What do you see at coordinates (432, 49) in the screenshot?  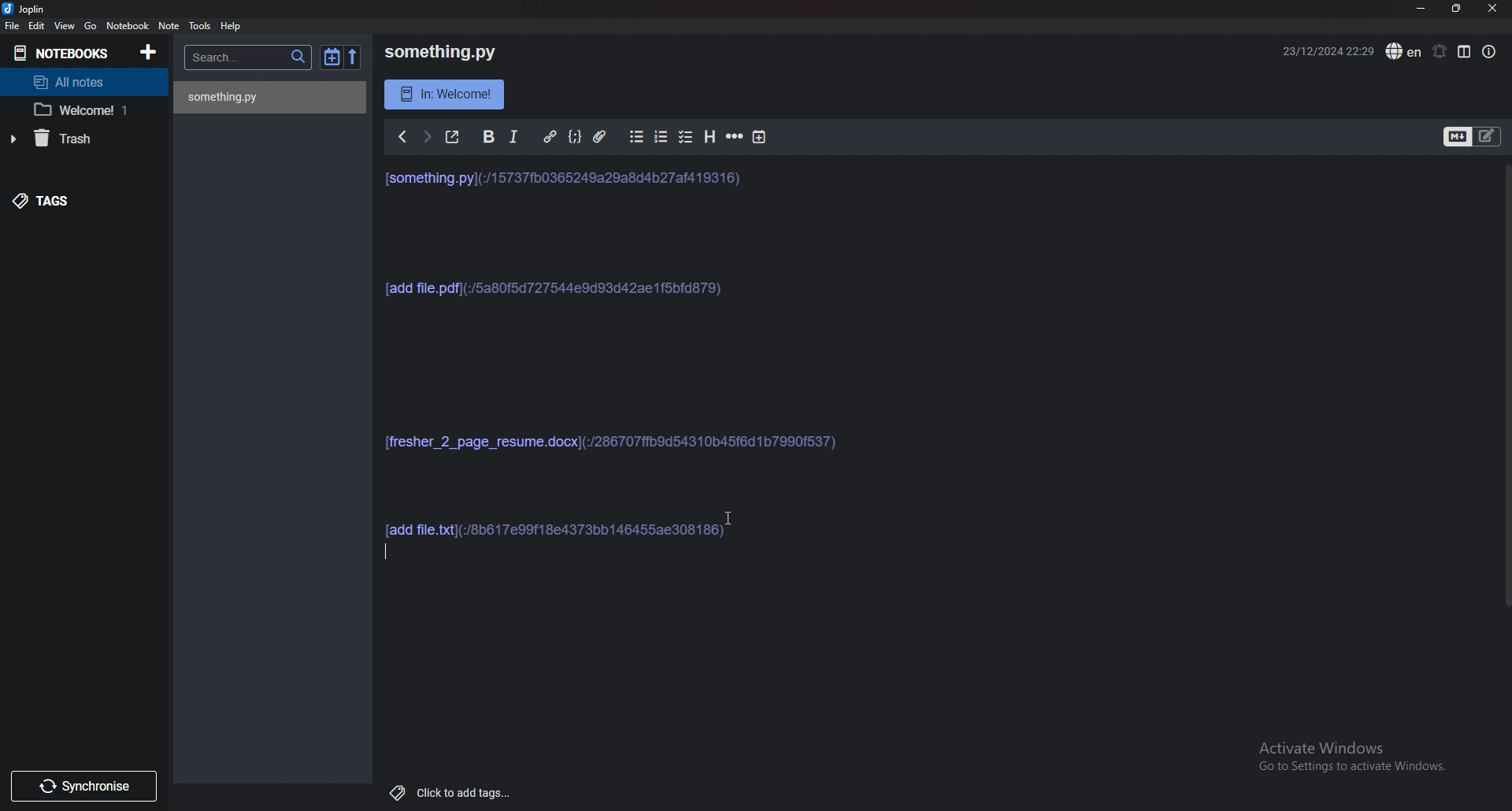 I see `something.py` at bounding box center [432, 49].